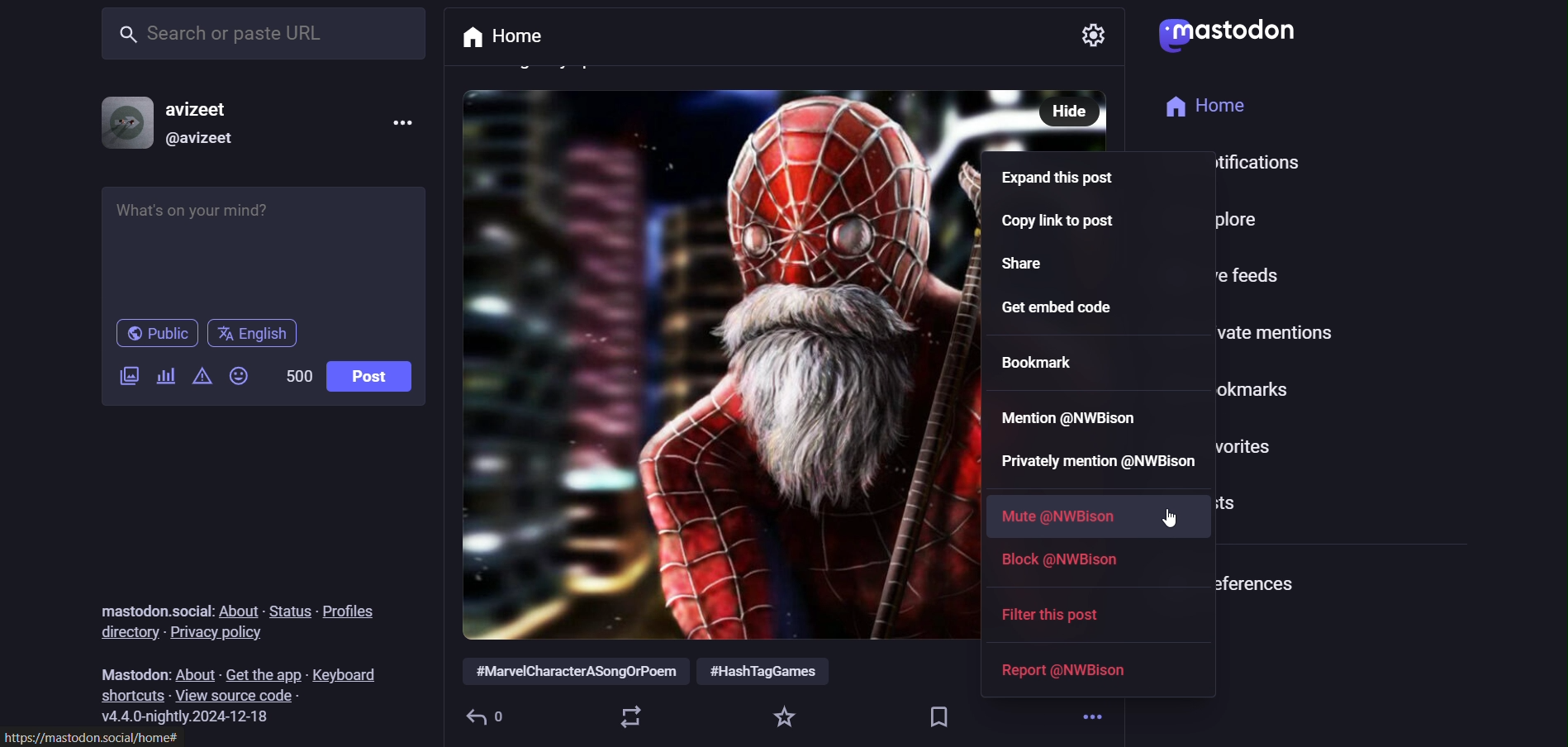 This screenshot has height=747, width=1568. What do you see at coordinates (202, 378) in the screenshot?
I see `content warning` at bounding box center [202, 378].